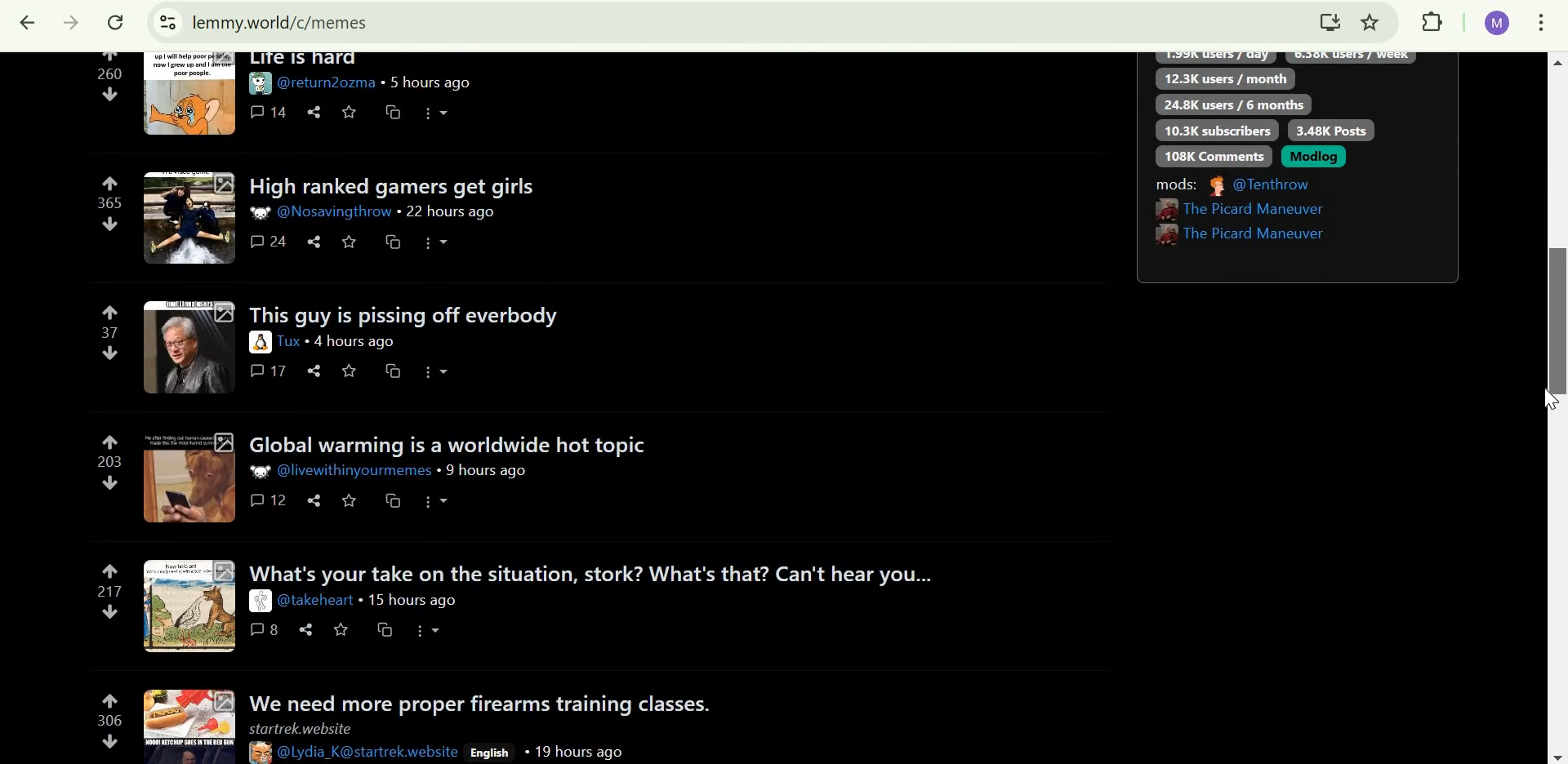  Describe the element at coordinates (350, 499) in the screenshot. I see `save` at that location.